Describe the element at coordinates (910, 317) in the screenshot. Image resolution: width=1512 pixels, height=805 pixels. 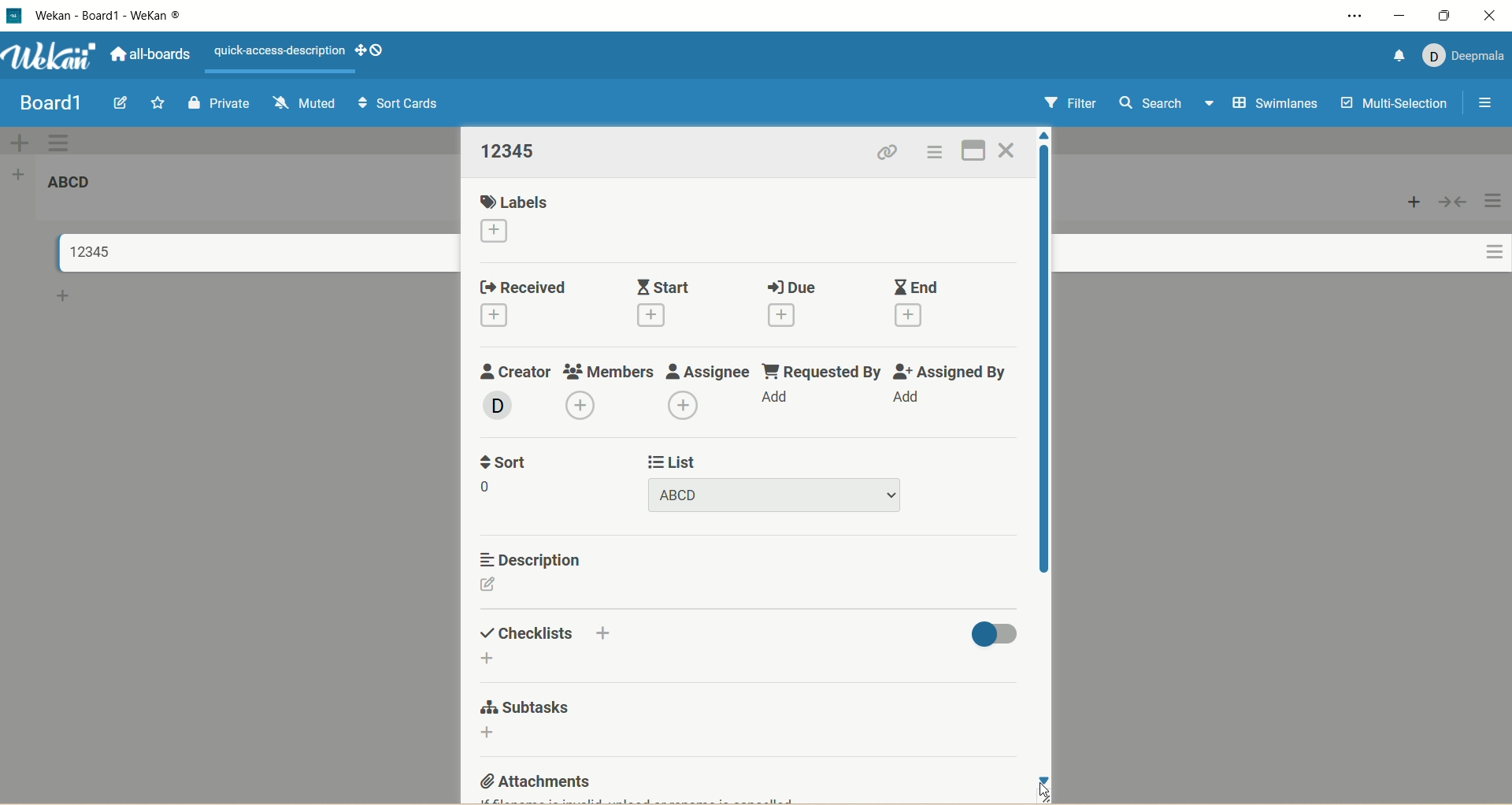
I see `add` at that location.